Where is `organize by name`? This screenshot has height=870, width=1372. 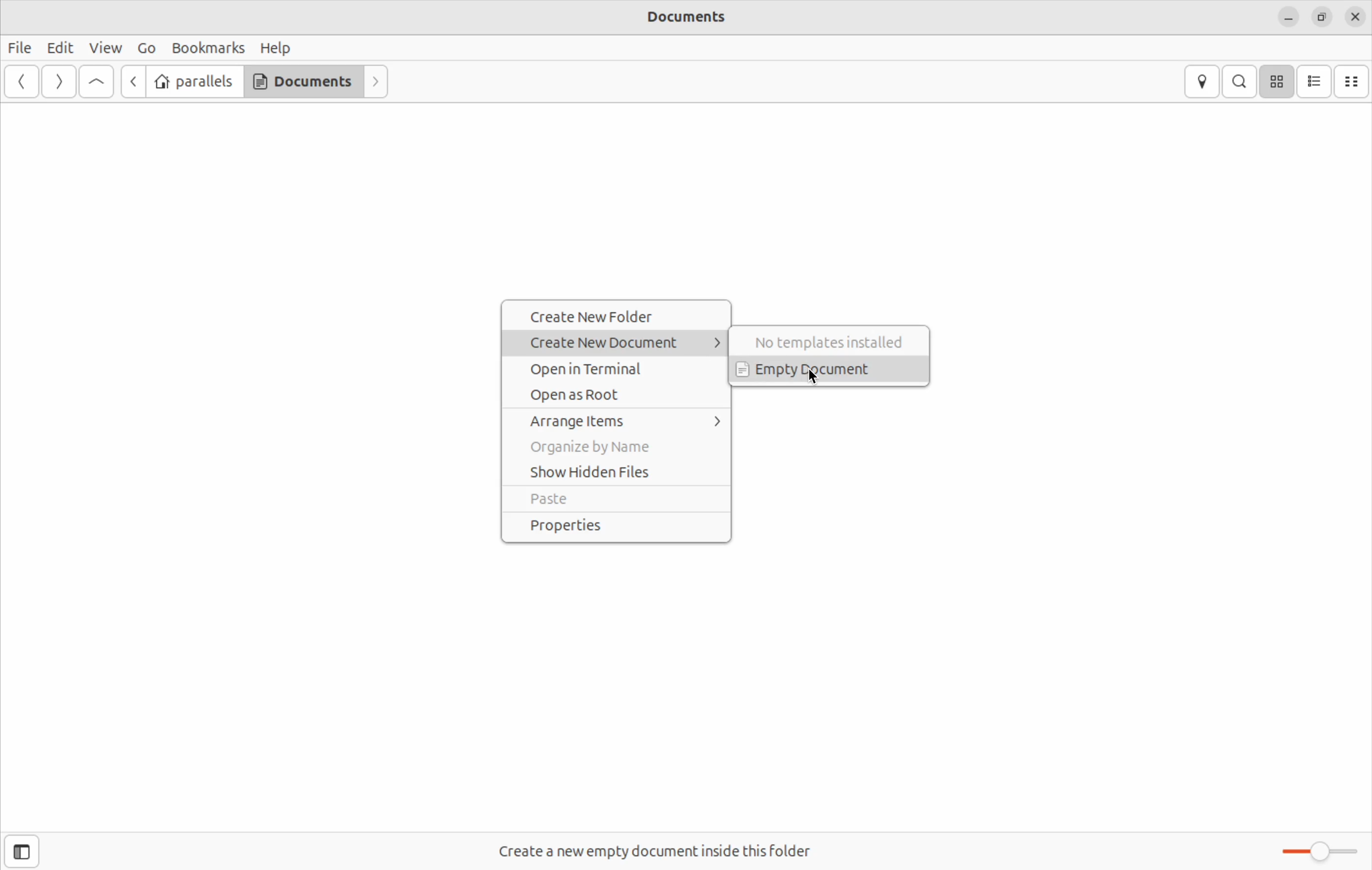 organize by name is located at coordinates (617, 448).